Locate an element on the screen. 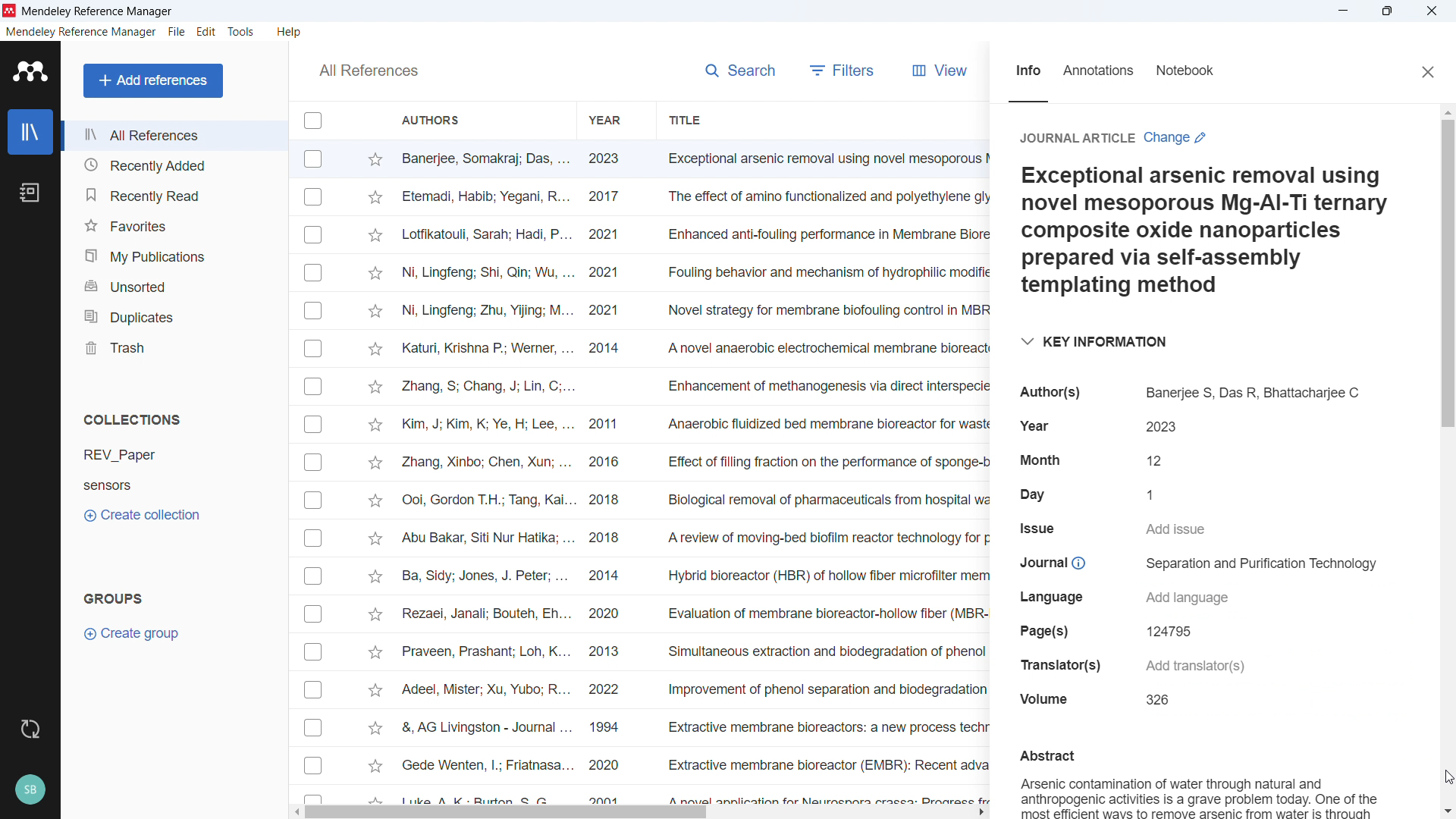 The width and height of the screenshot is (1456, 819). click to starmark individual entries is located at coordinates (375, 578).